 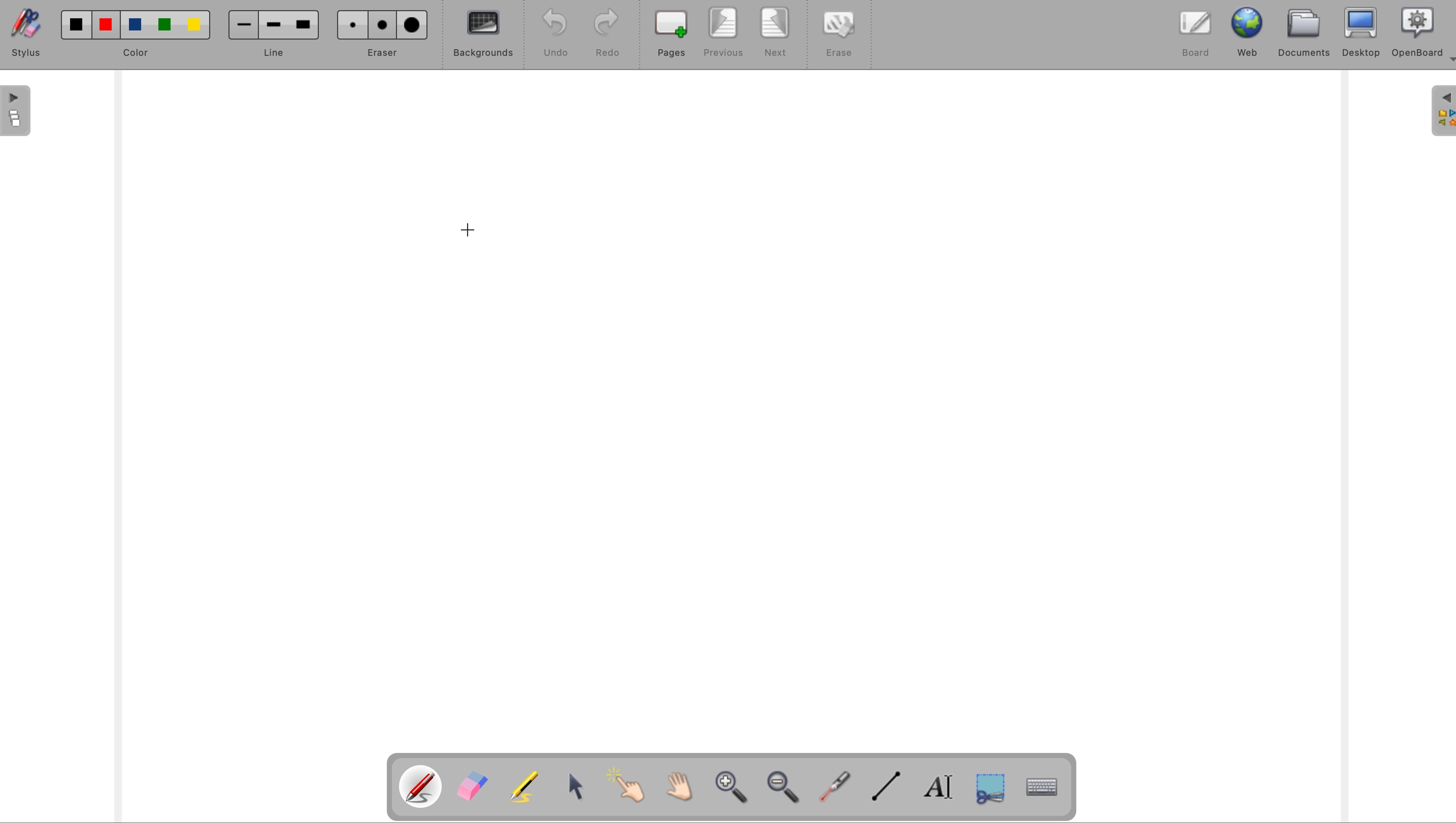 I want to click on documents, so click(x=1307, y=33).